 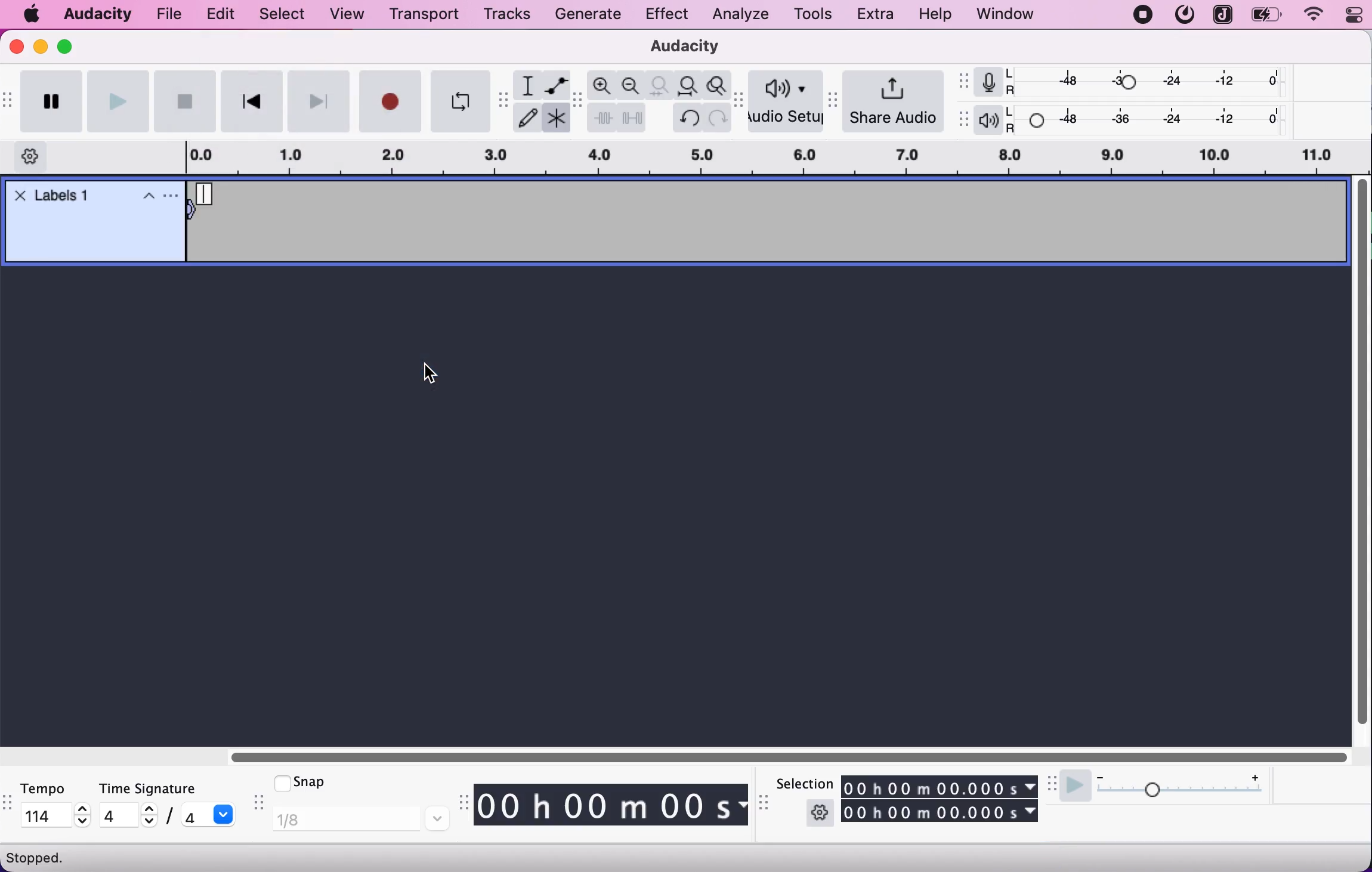 What do you see at coordinates (434, 375) in the screenshot?
I see `cursor` at bounding box center [434, 375].